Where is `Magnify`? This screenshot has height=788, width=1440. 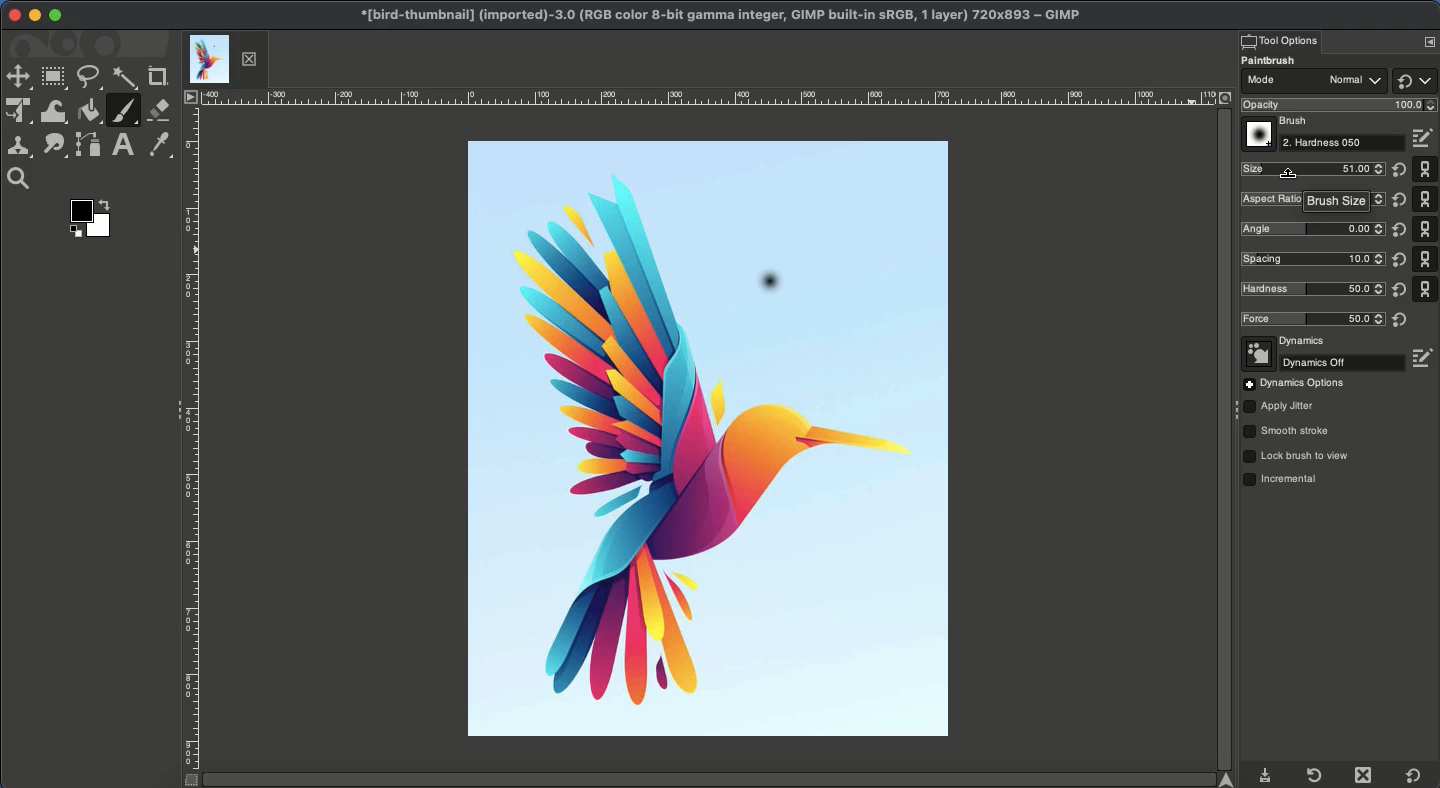 Magnify is located at coordinates (23, 179).